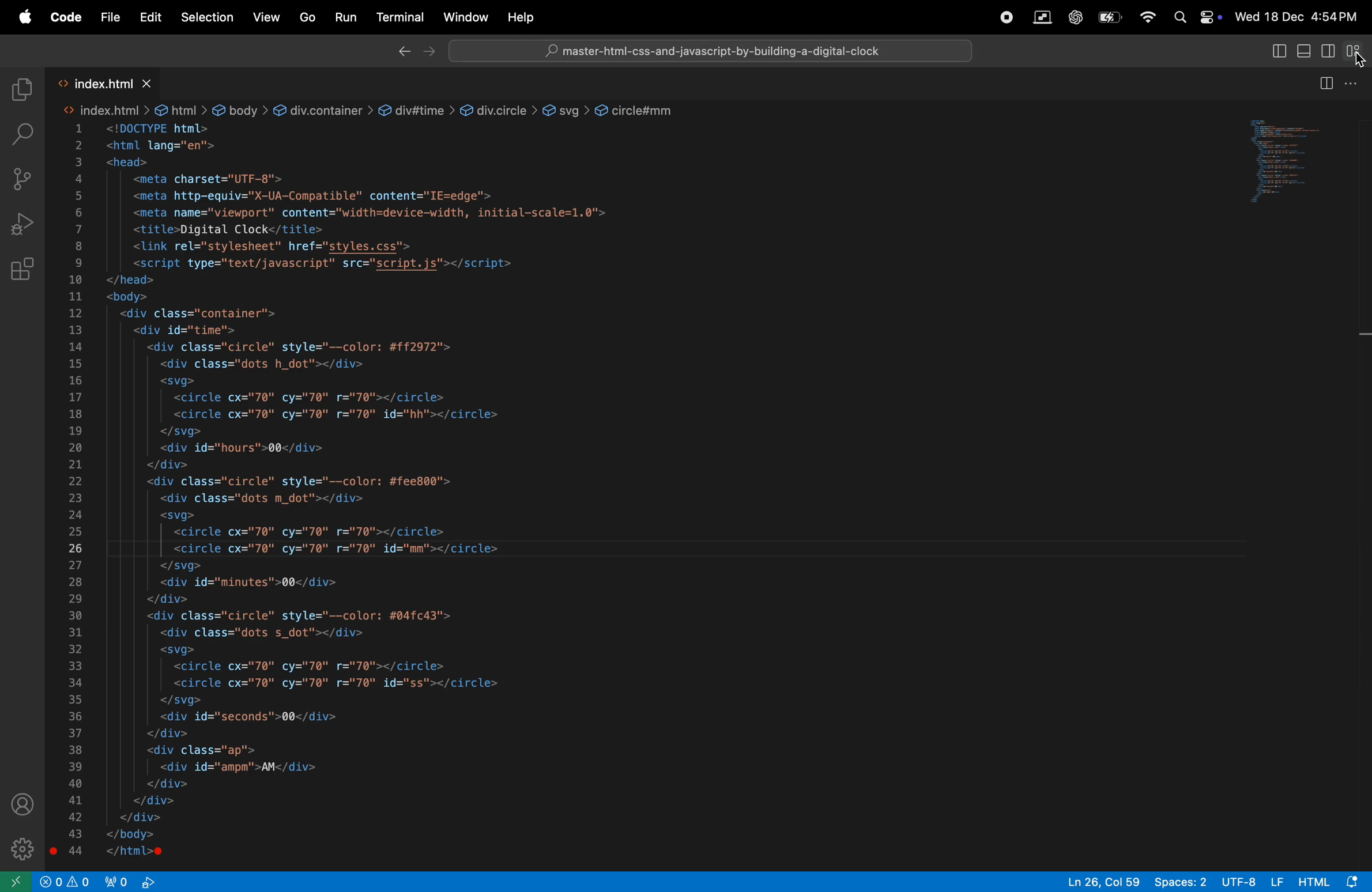 This screenshot has height=892, width=1372. I want to click on apple menu, so click(24, 17).